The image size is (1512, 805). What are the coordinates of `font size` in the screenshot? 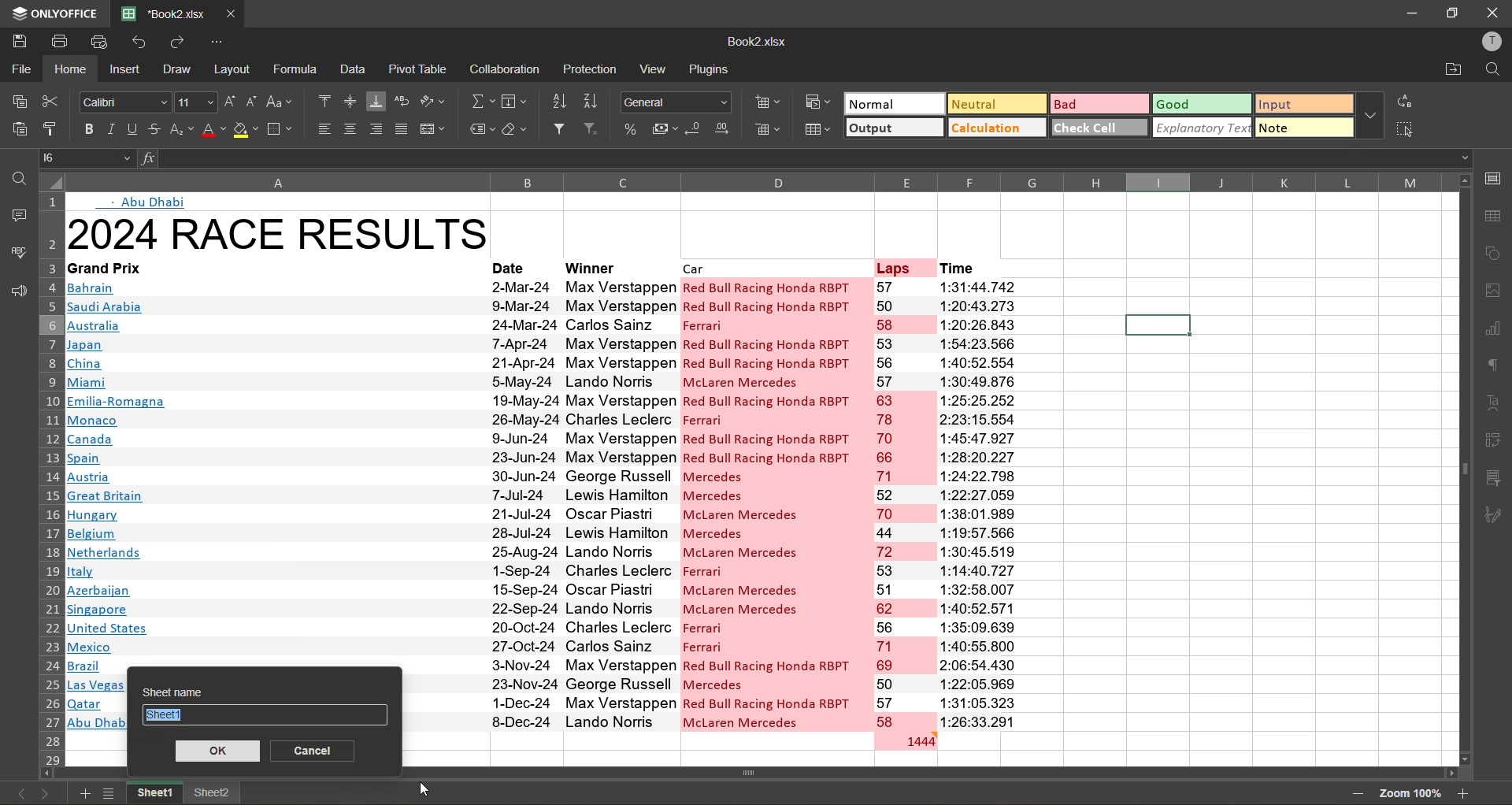 It's located at (197, 101).